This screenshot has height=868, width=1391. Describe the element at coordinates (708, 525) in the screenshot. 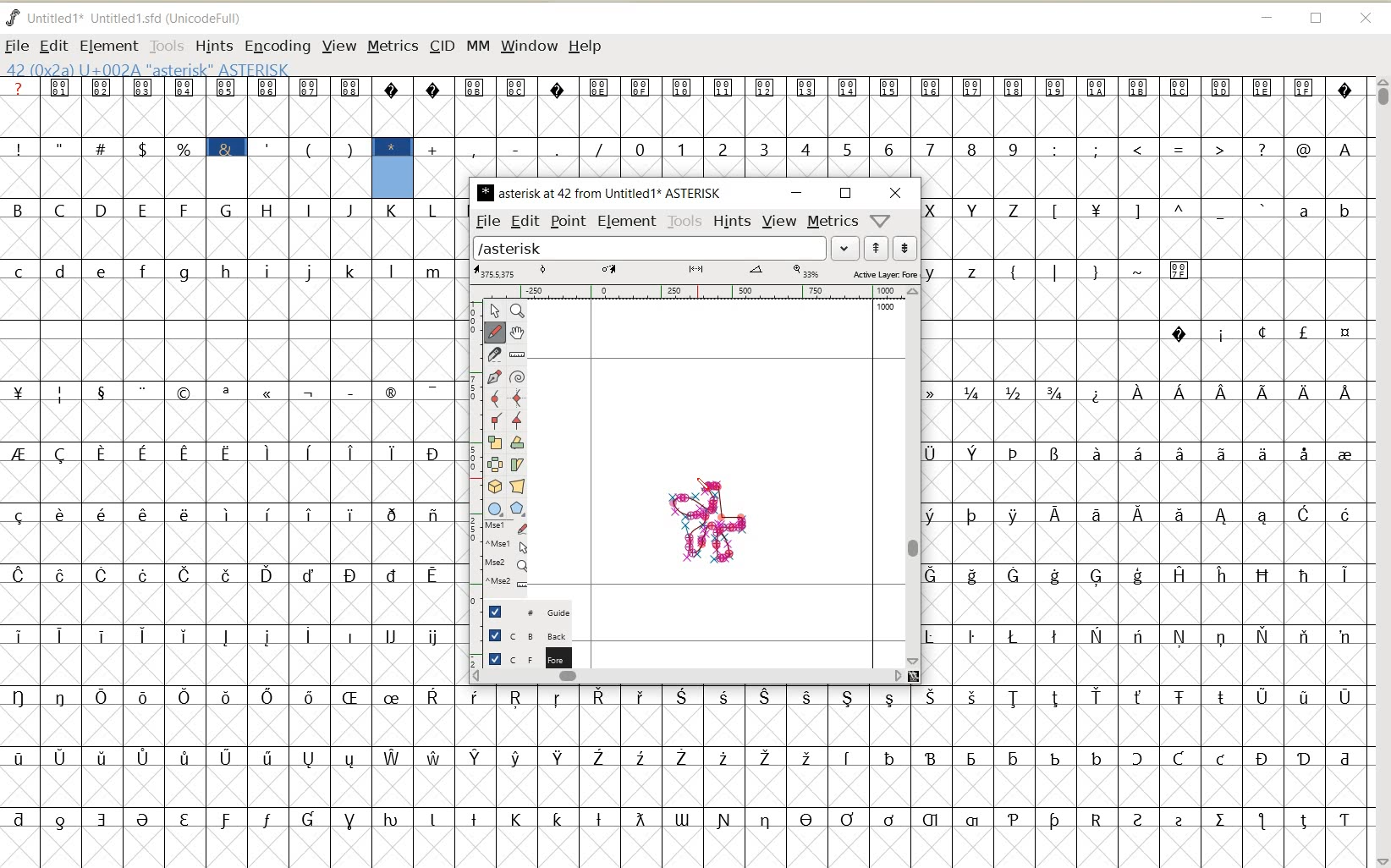

I see ` unique glyph for an asterisk creation` at that location.